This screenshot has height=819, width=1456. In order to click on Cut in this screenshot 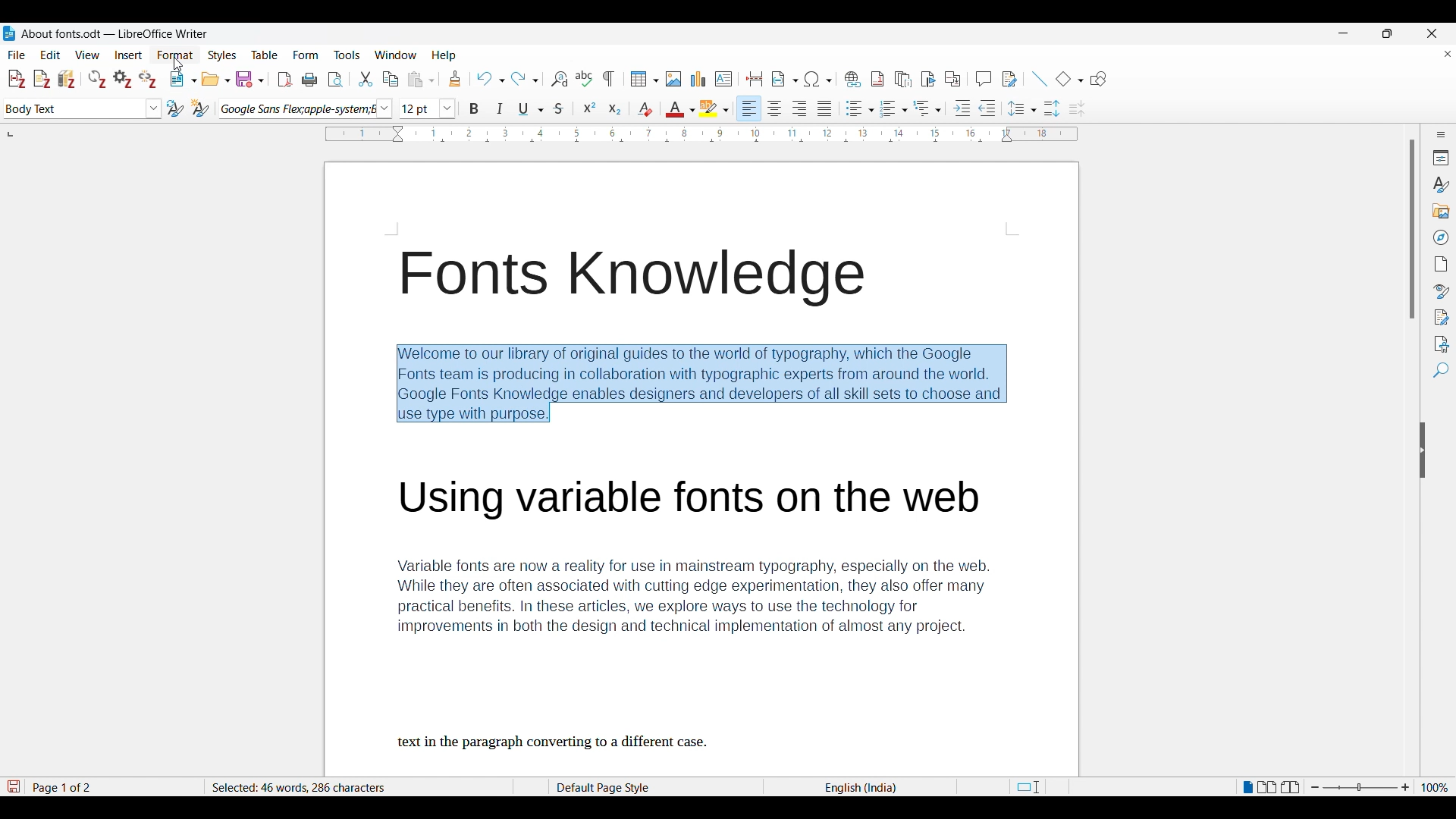, I will do `click(366, 79)`.